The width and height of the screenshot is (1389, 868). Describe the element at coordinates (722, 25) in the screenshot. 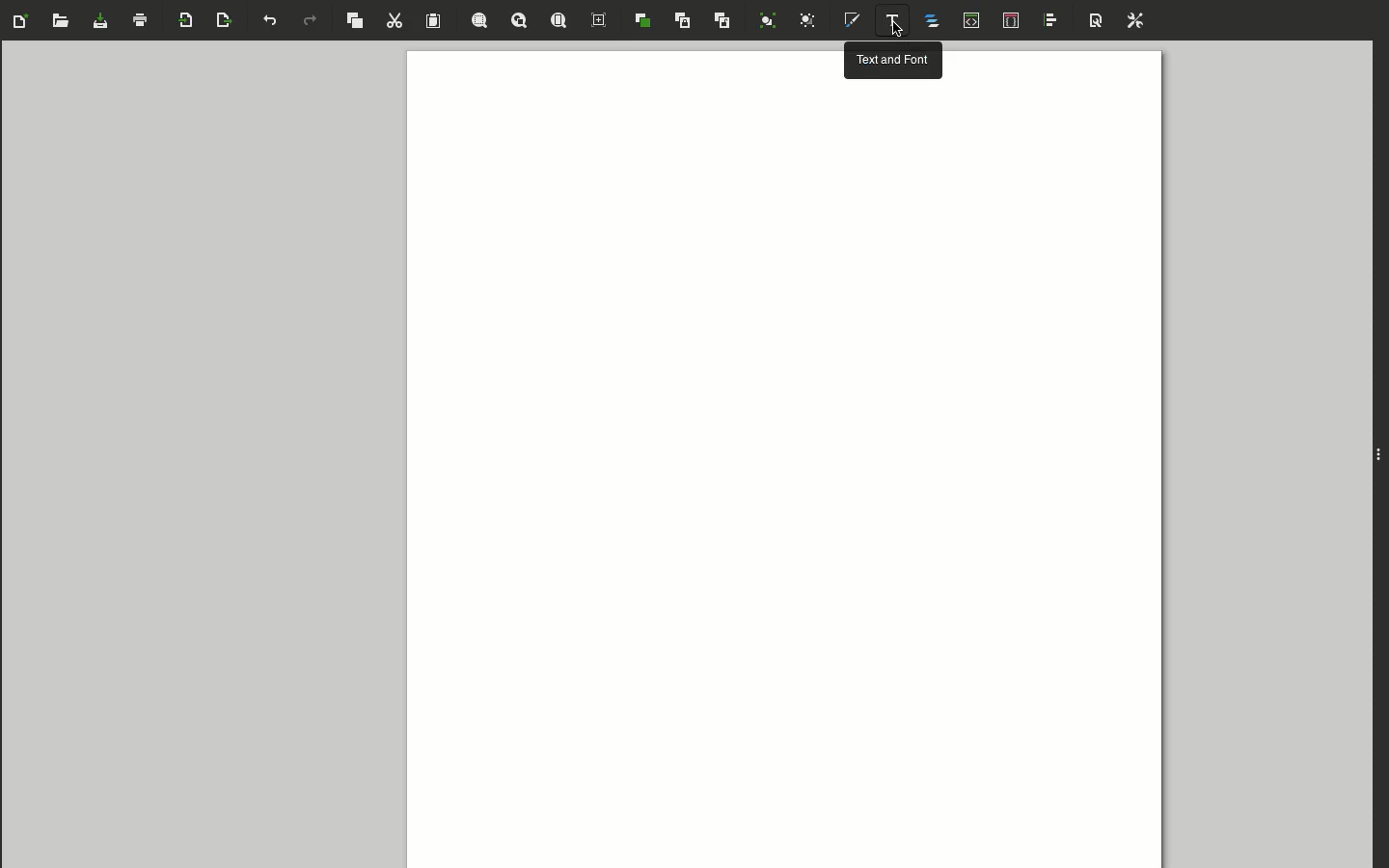

I see `Unlink clone` at that location.